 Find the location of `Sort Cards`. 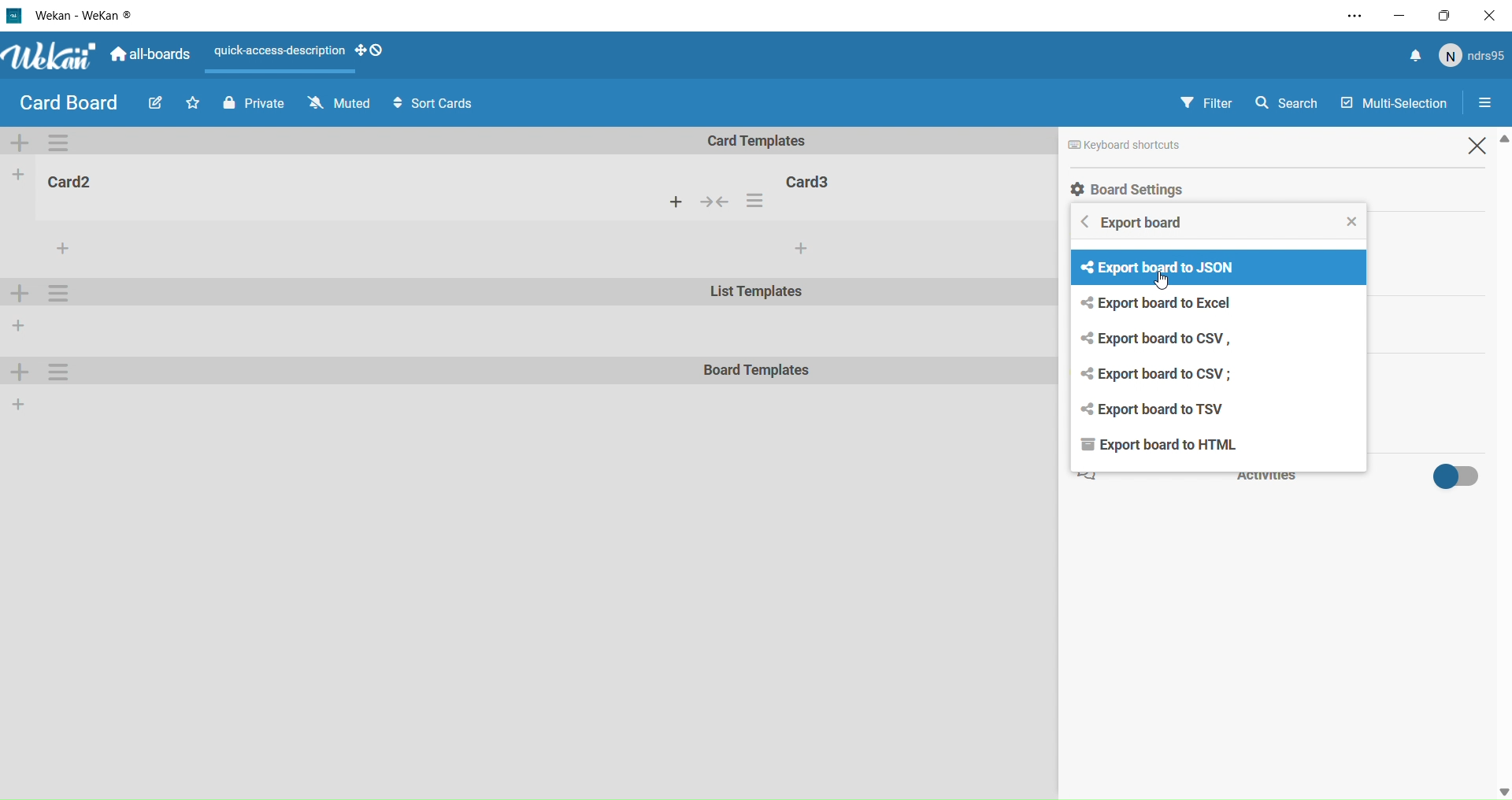

Sort Cards is located at coordinates (440, 104).